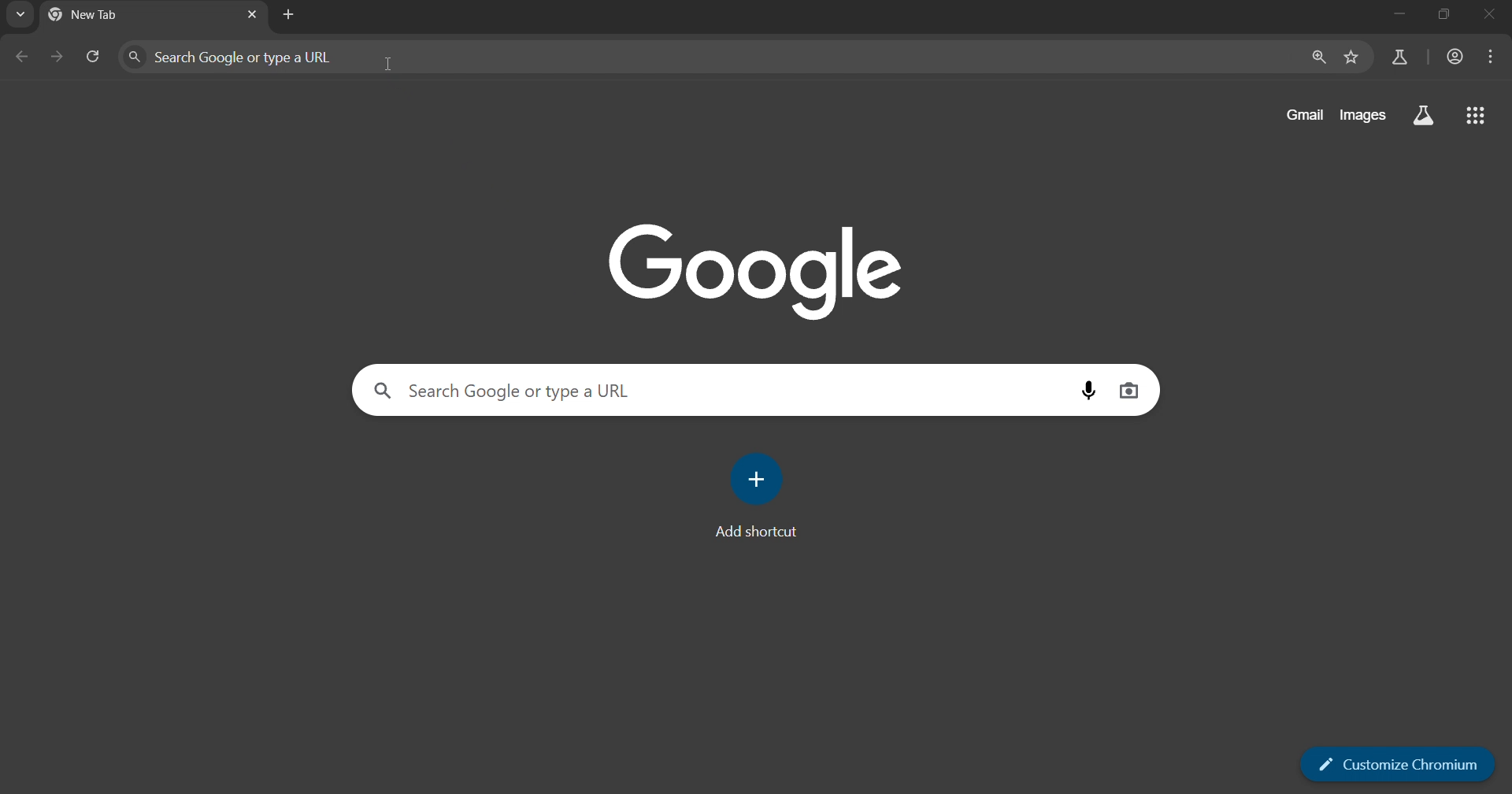 The image size is (1512, 794). Describe the element at coordinates (234, 58) in the screenshot. I see `Search Google or type a URL` at that location.